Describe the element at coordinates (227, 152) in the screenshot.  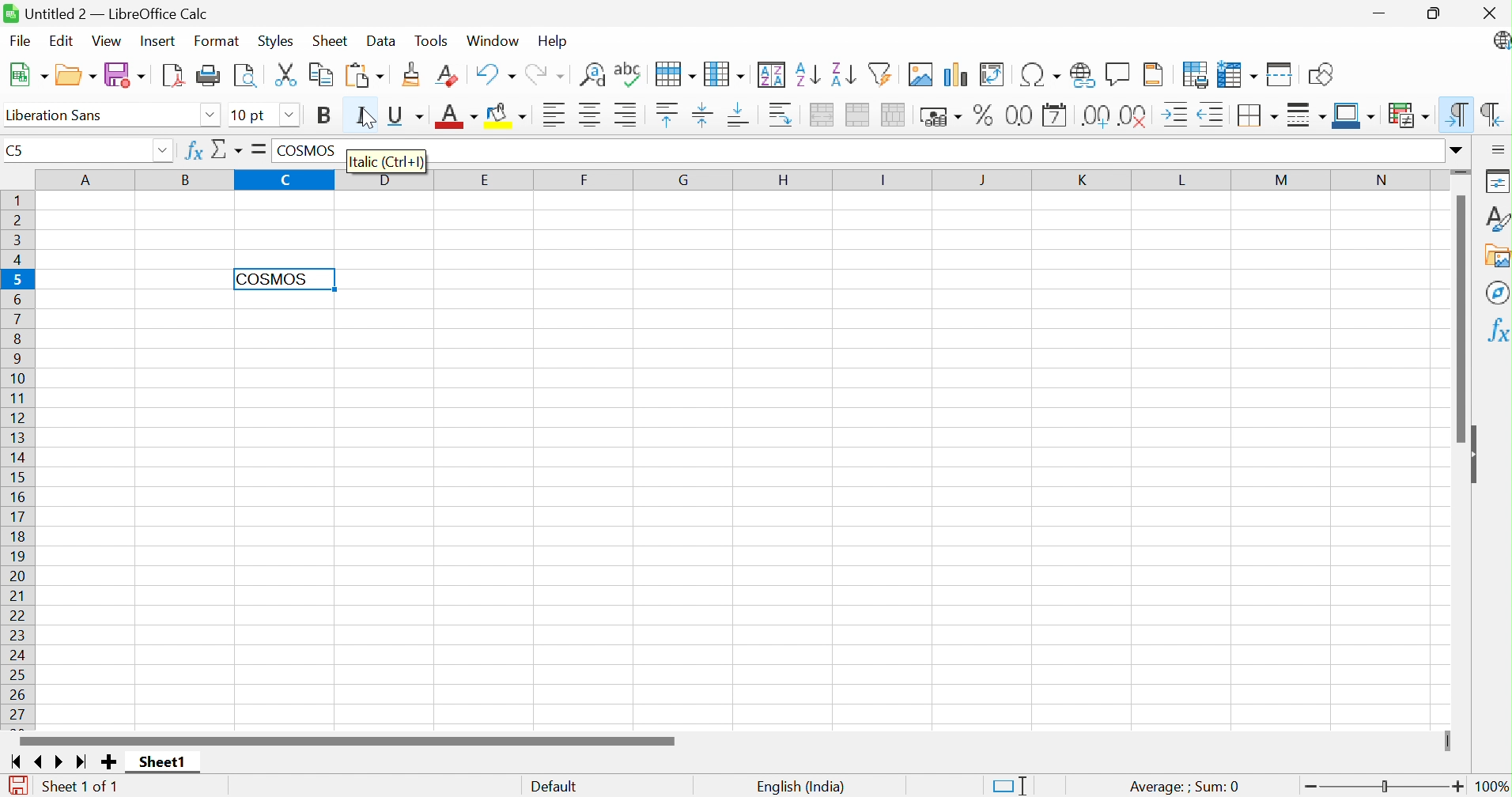
I see `Select function` at that location.